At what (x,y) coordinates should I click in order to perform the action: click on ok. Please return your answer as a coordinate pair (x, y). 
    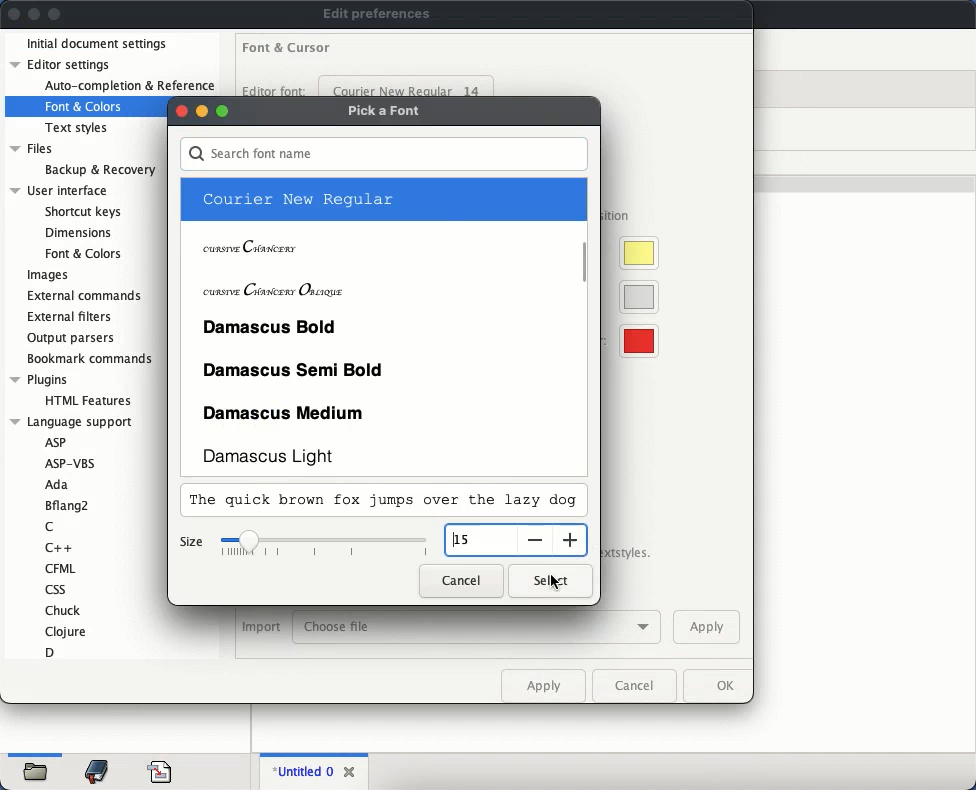
    Looking at the image, I should click on (715, 686).